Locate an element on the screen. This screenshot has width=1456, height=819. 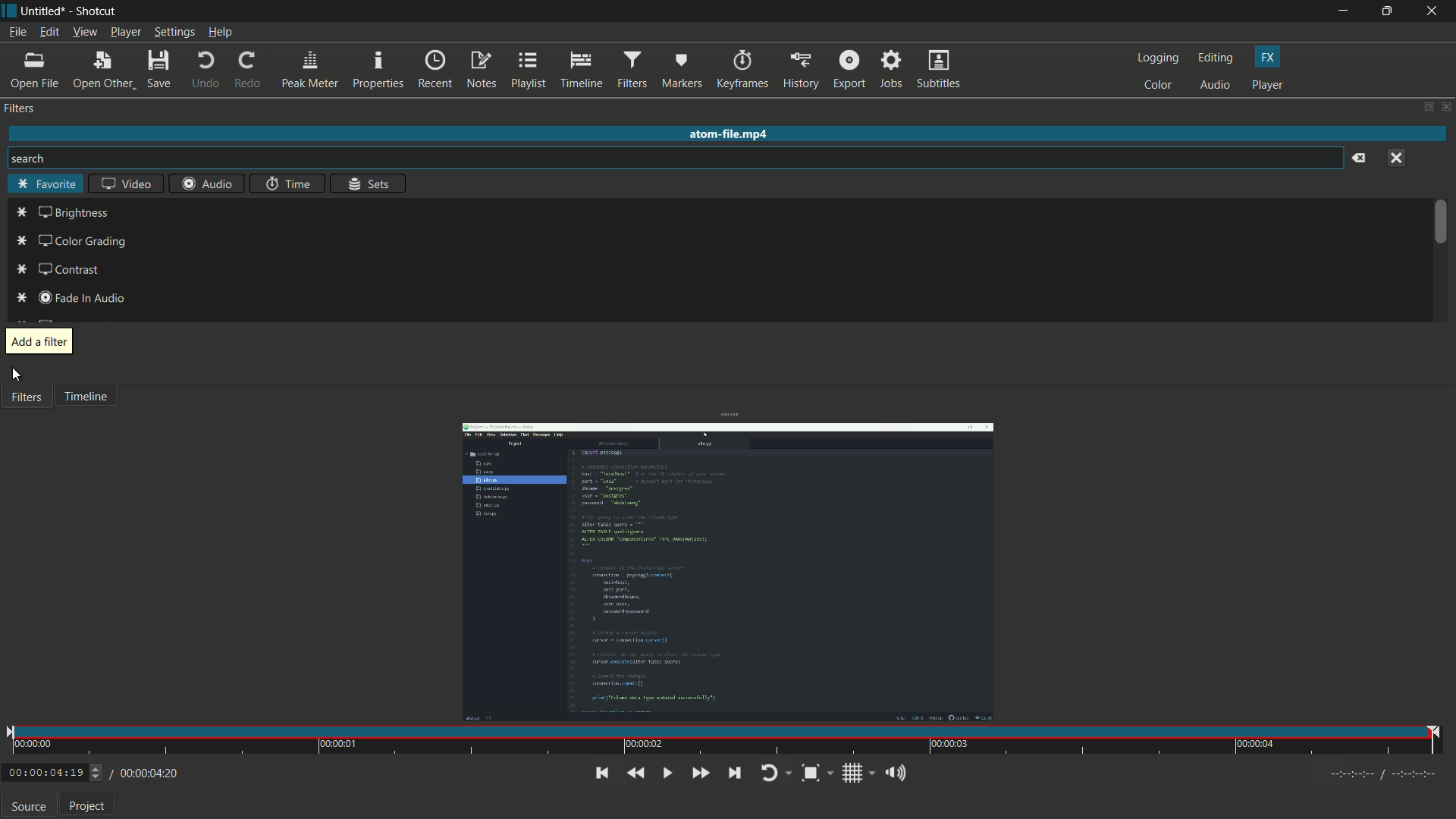
toggle play is located at coordinates (665, 773).